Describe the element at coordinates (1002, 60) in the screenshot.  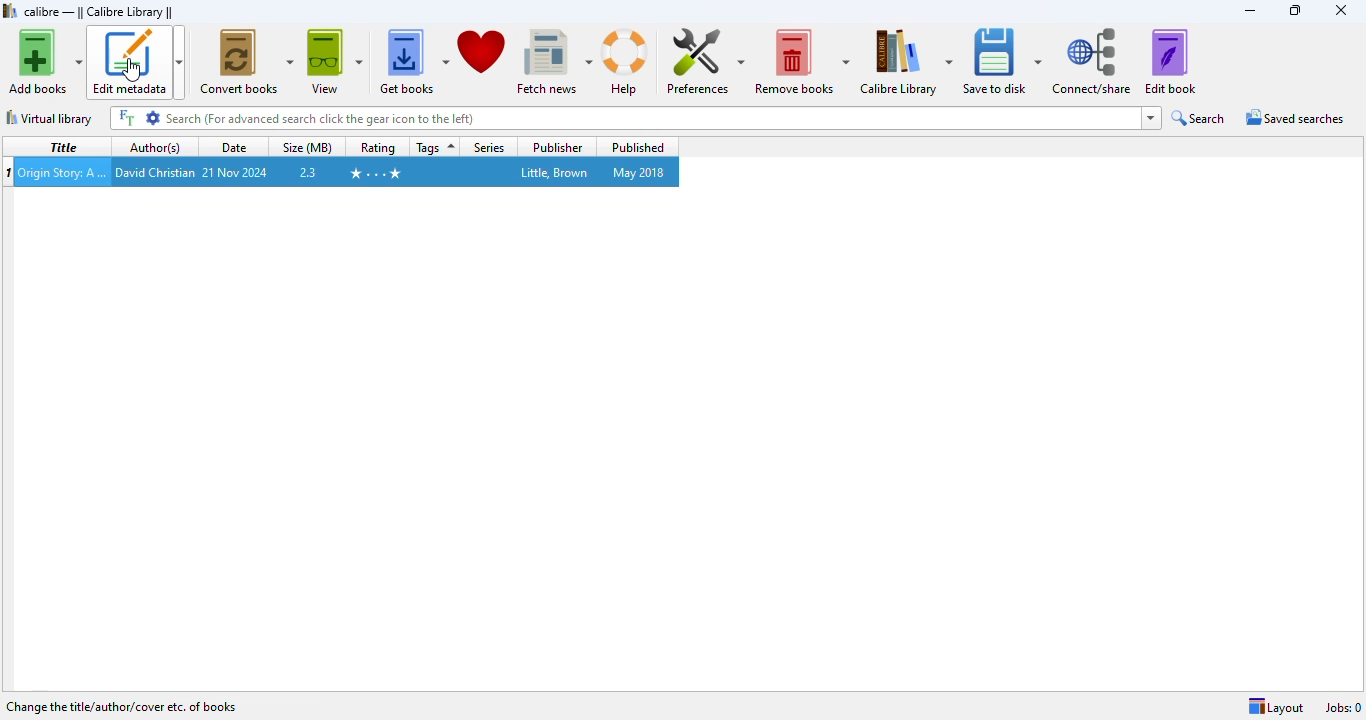
I see `save to disk` at that location.